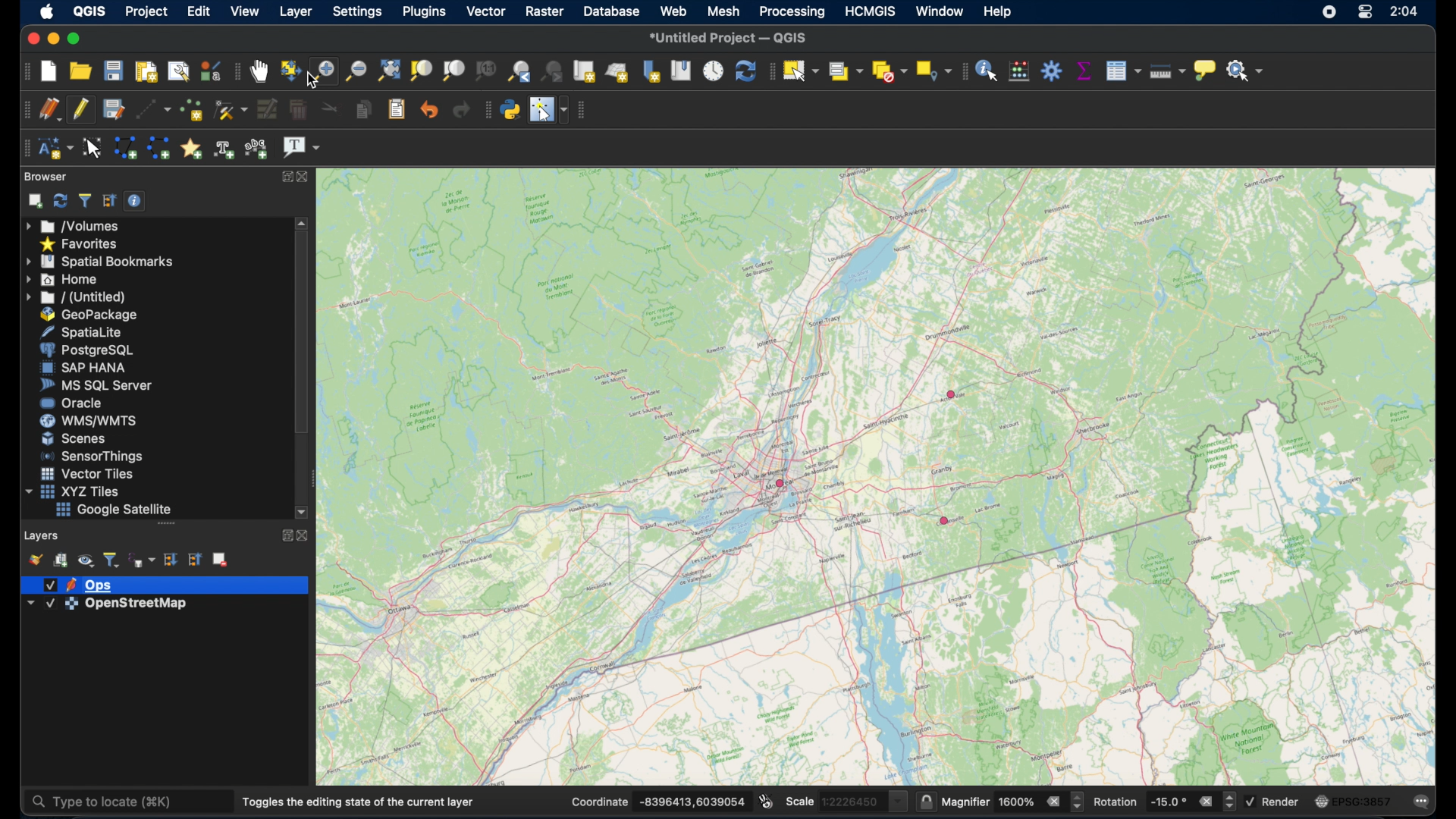 This screenshot has height=819, width=1456. Describe the element at coordinates (583, 71) in the screenshot. I see `new map view` at that location.